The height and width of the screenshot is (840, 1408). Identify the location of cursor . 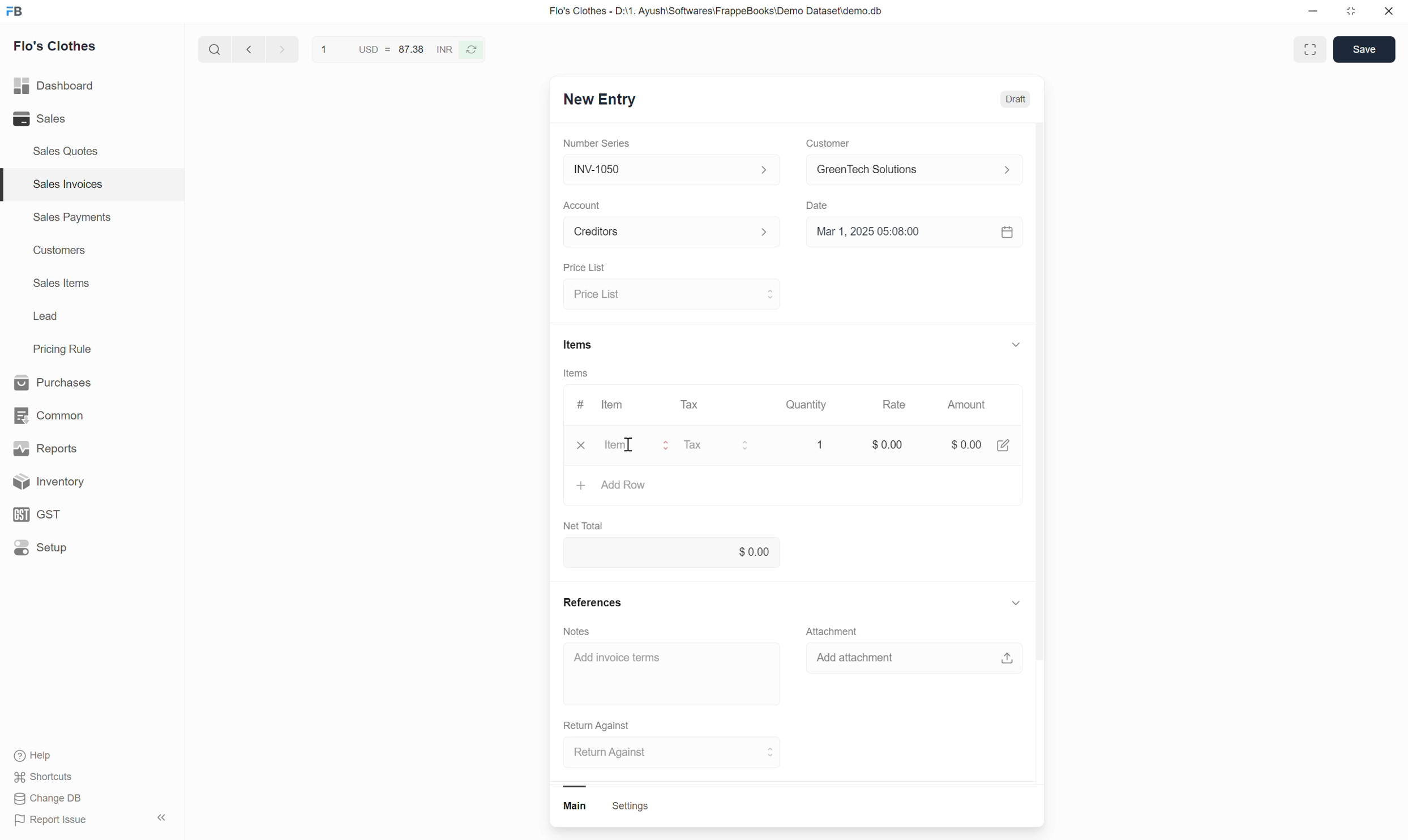
(628, 448).